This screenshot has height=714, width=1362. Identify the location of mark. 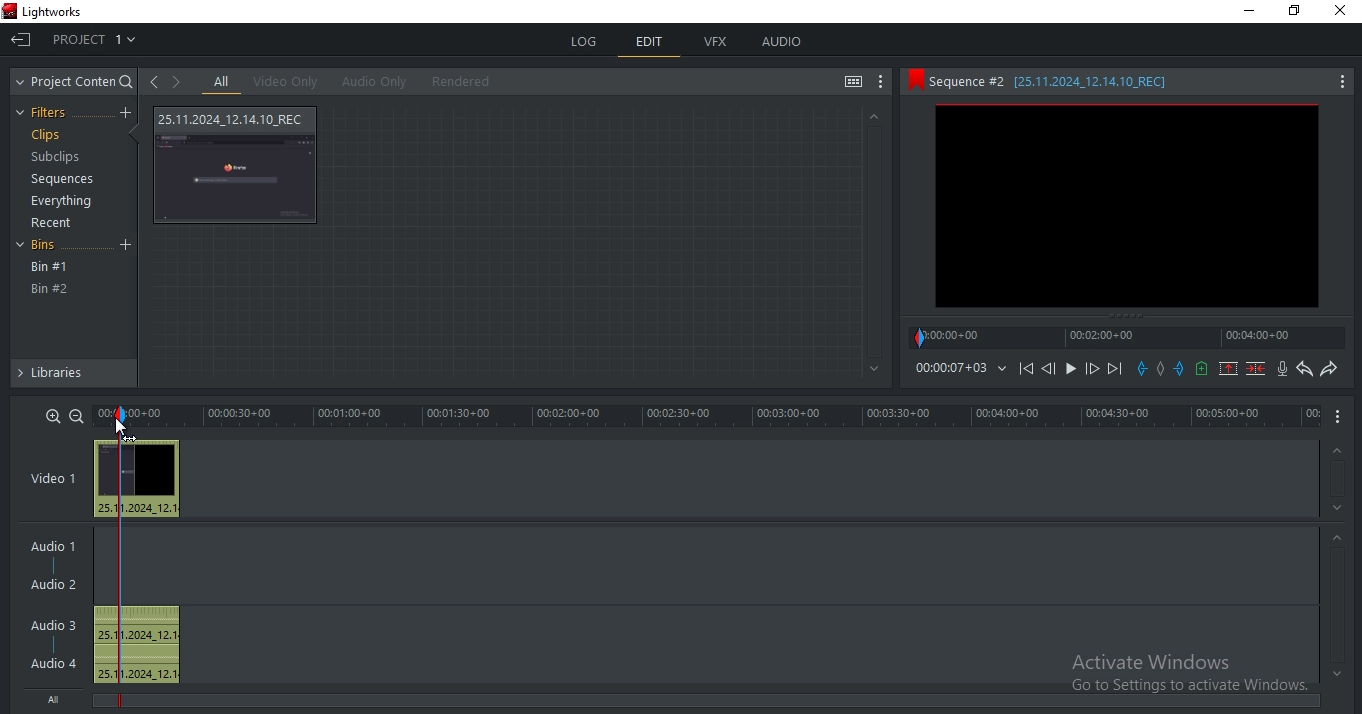
(127, 417).